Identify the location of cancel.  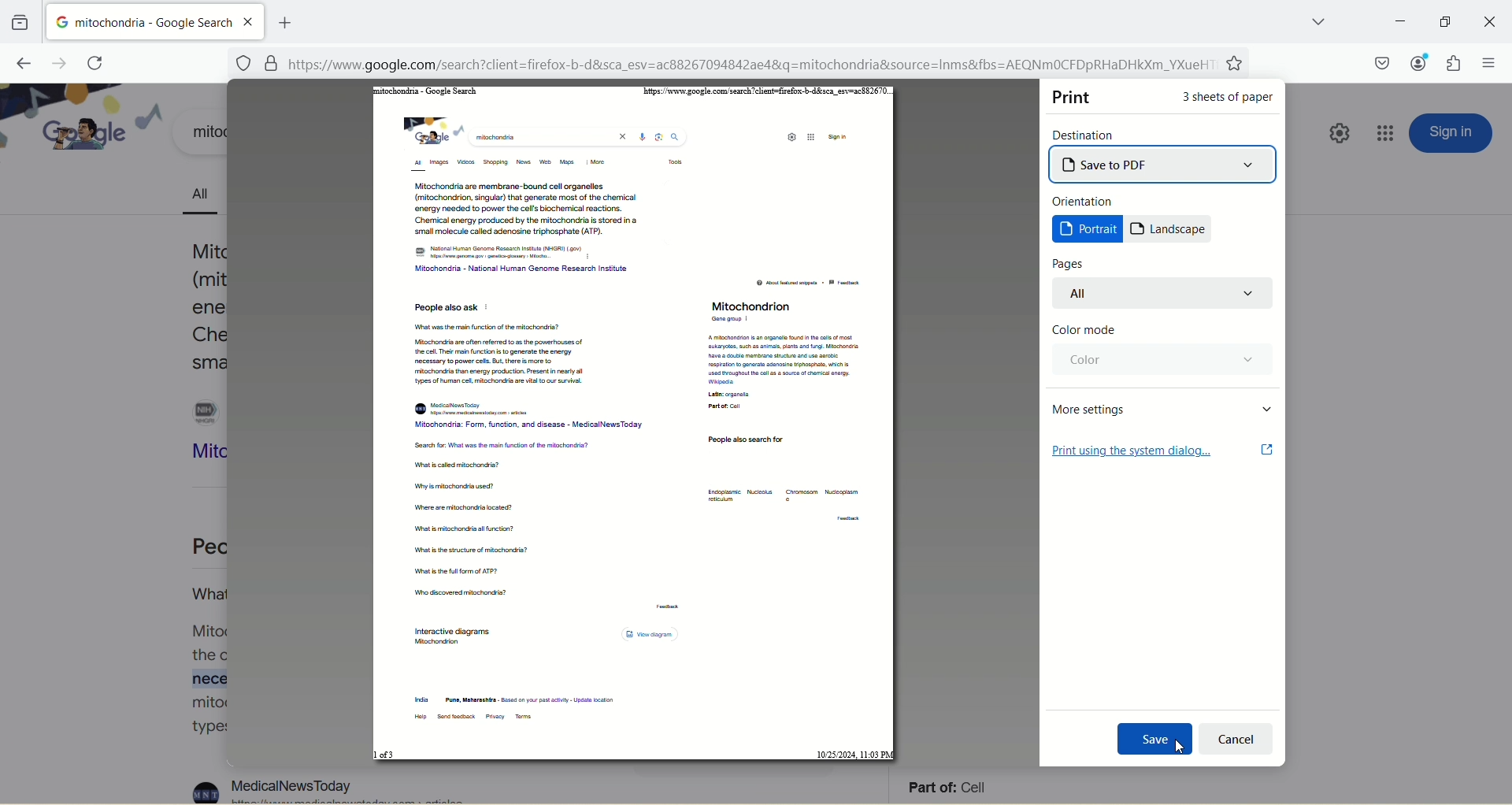
(1236, 740).